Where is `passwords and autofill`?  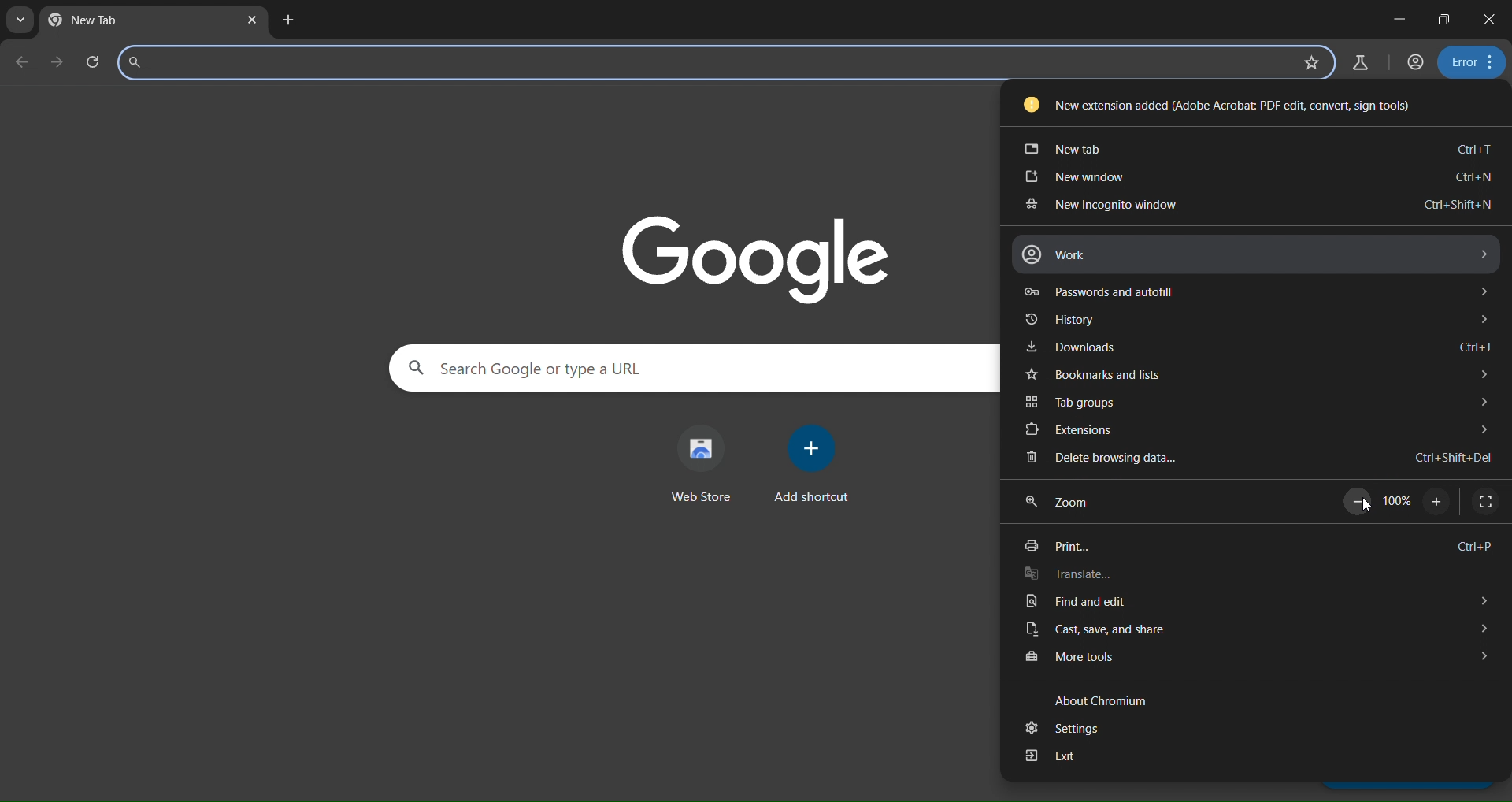 passwords and autofill is located at coordinates (1253, 291).